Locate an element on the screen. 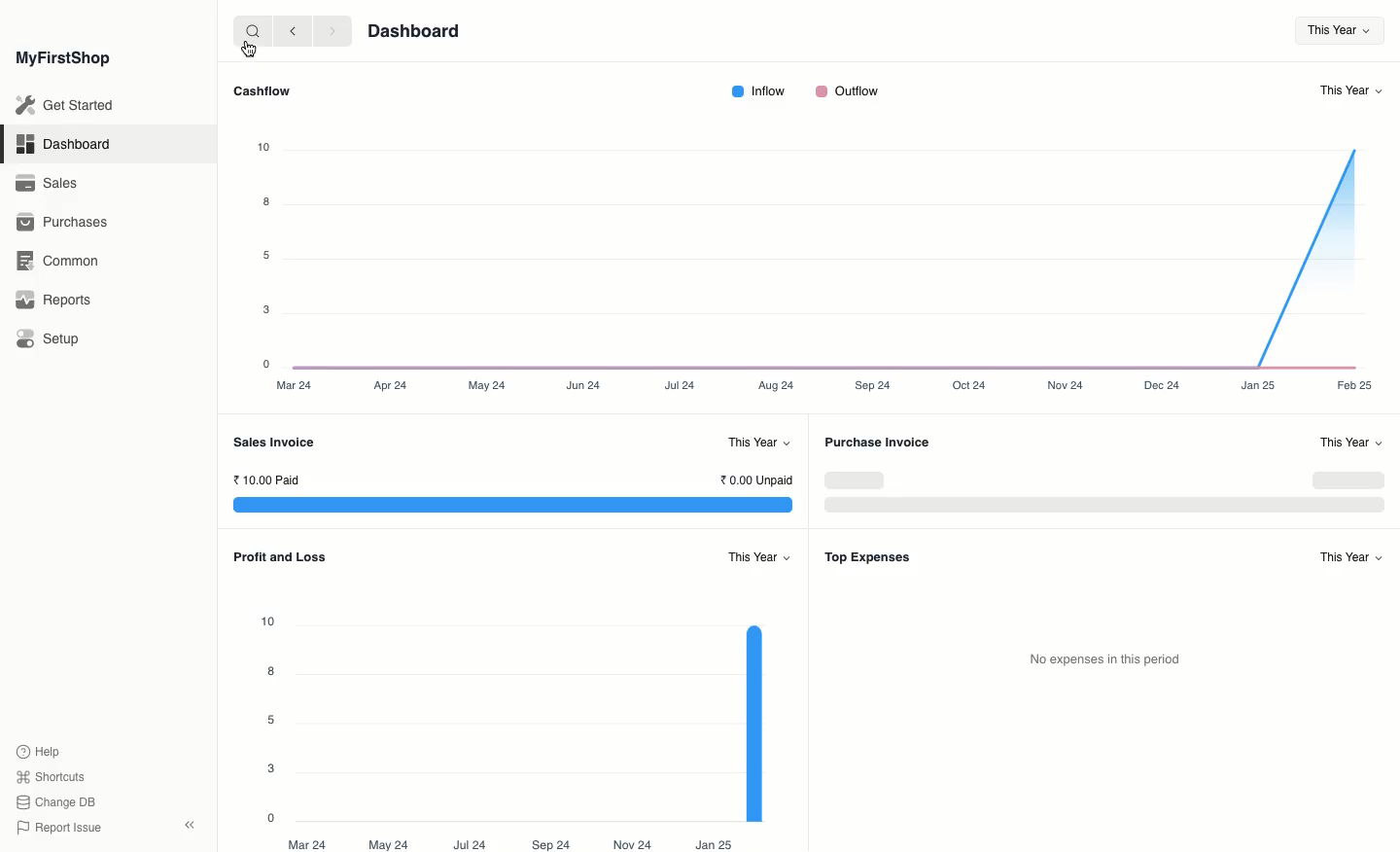  May 24 is located at coordinates (486, 384).